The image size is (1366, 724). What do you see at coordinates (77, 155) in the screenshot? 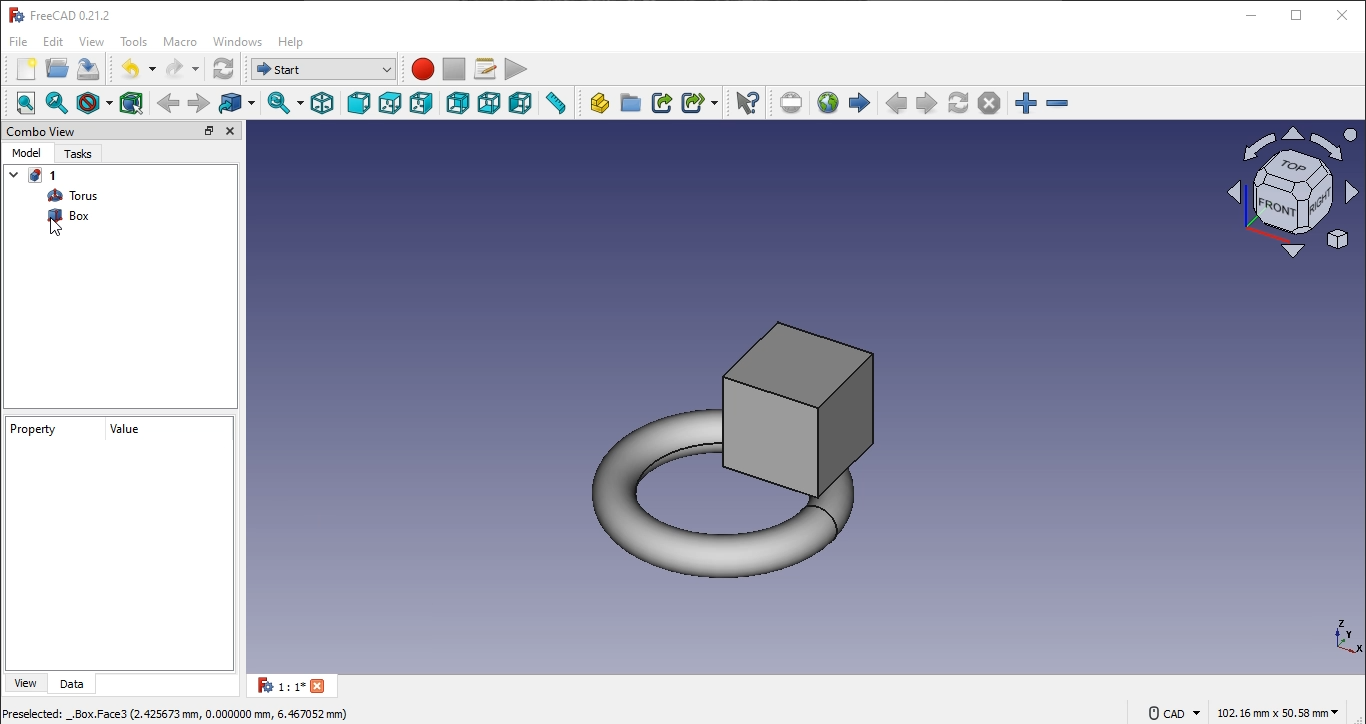
I see `tasks` at bounding box center [77, 155].